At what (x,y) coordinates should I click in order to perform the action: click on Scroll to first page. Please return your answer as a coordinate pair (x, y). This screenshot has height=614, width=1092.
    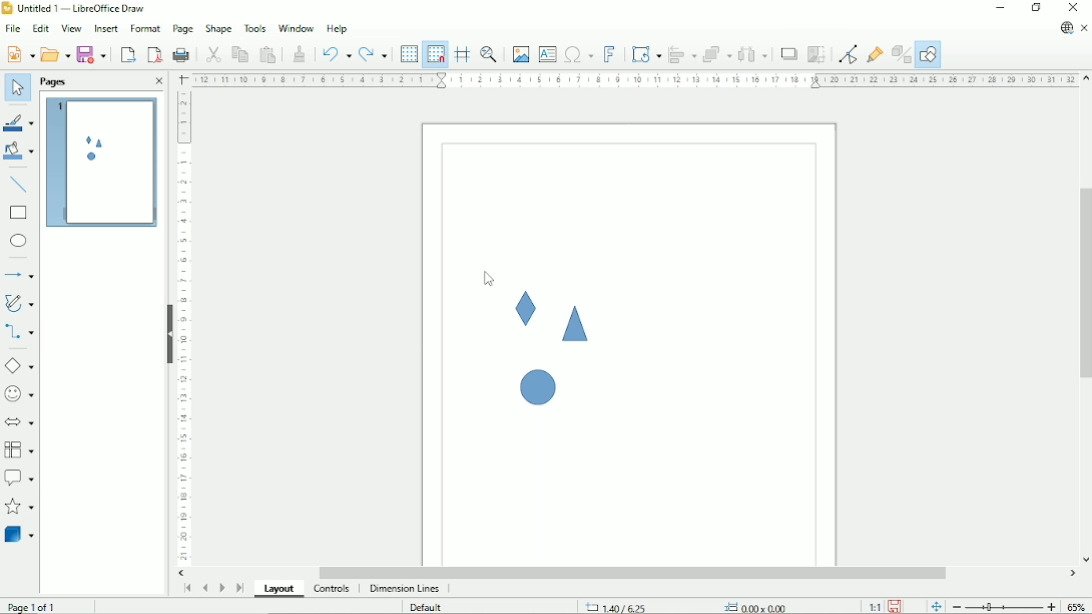
    Looking at the image, I should click on (186, 589).